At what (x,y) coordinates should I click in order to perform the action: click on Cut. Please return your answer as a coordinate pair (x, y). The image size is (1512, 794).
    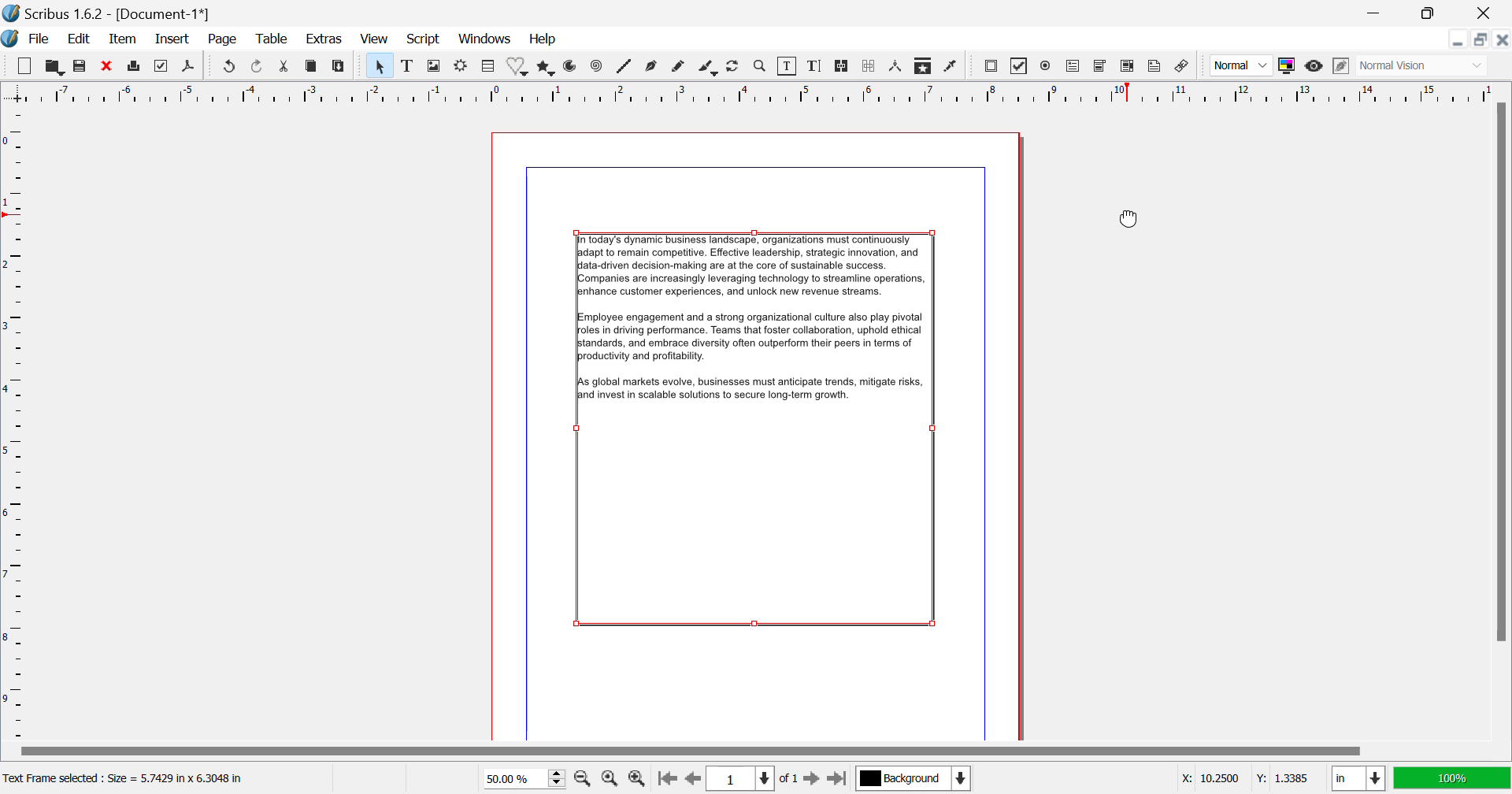
    Looking at the image, I should click on (287, 67).